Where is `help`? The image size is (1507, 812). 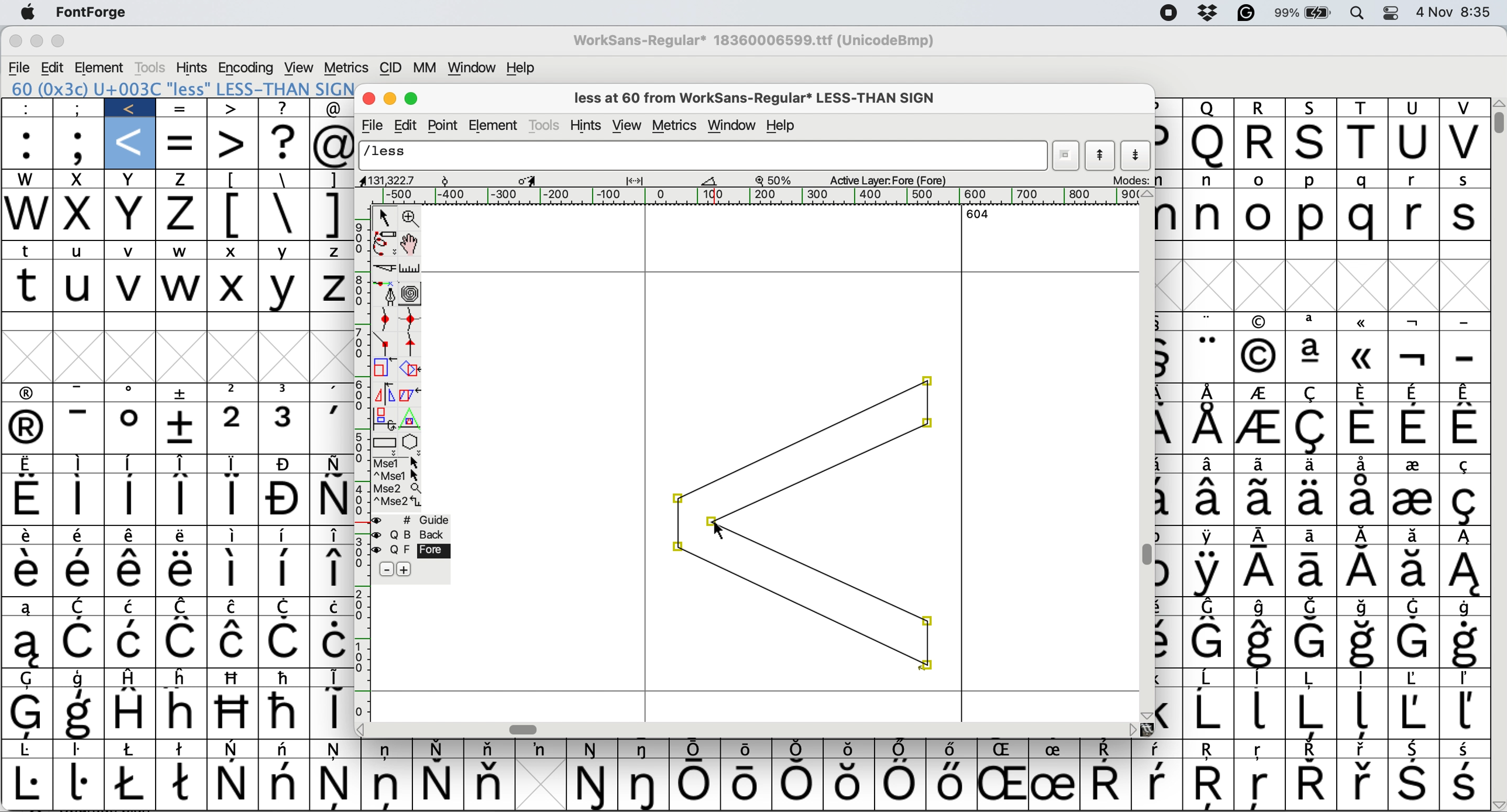 help is located at coordinates (521, 66).